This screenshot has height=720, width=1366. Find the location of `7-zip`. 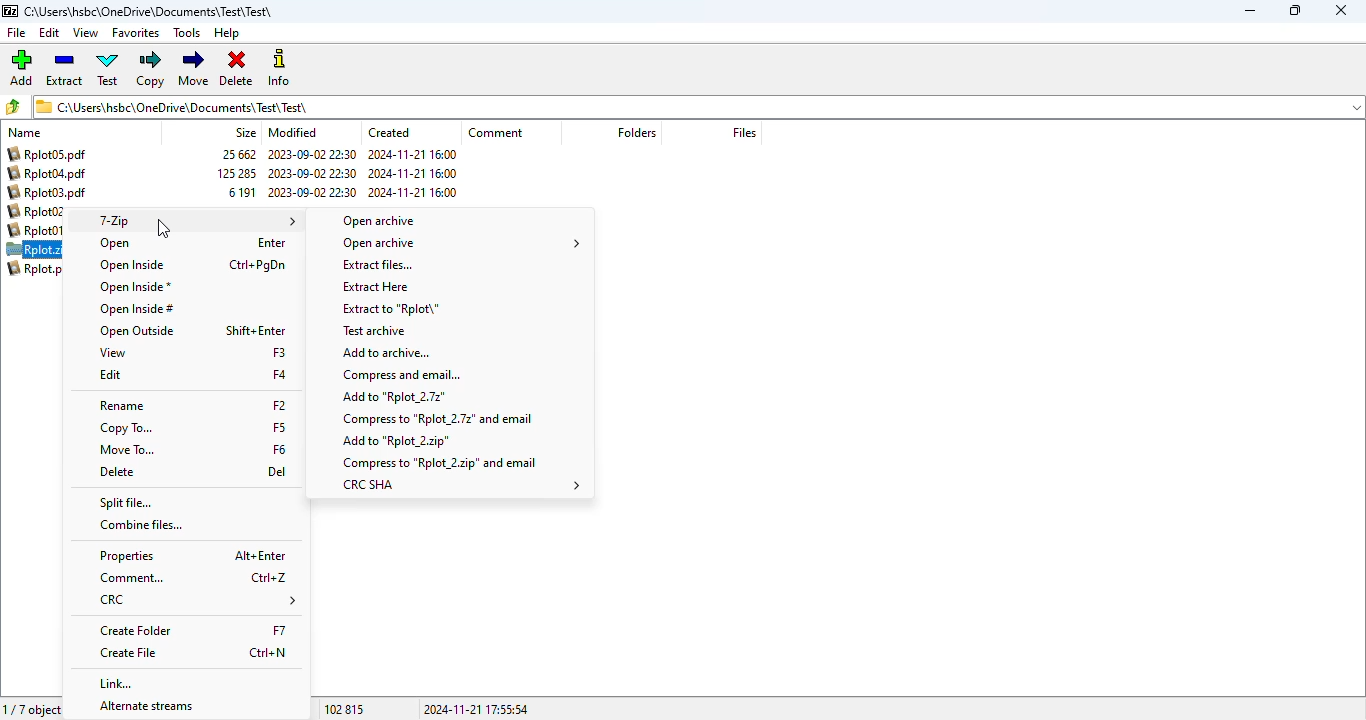

7-zip is located at coordinates (197, 221).